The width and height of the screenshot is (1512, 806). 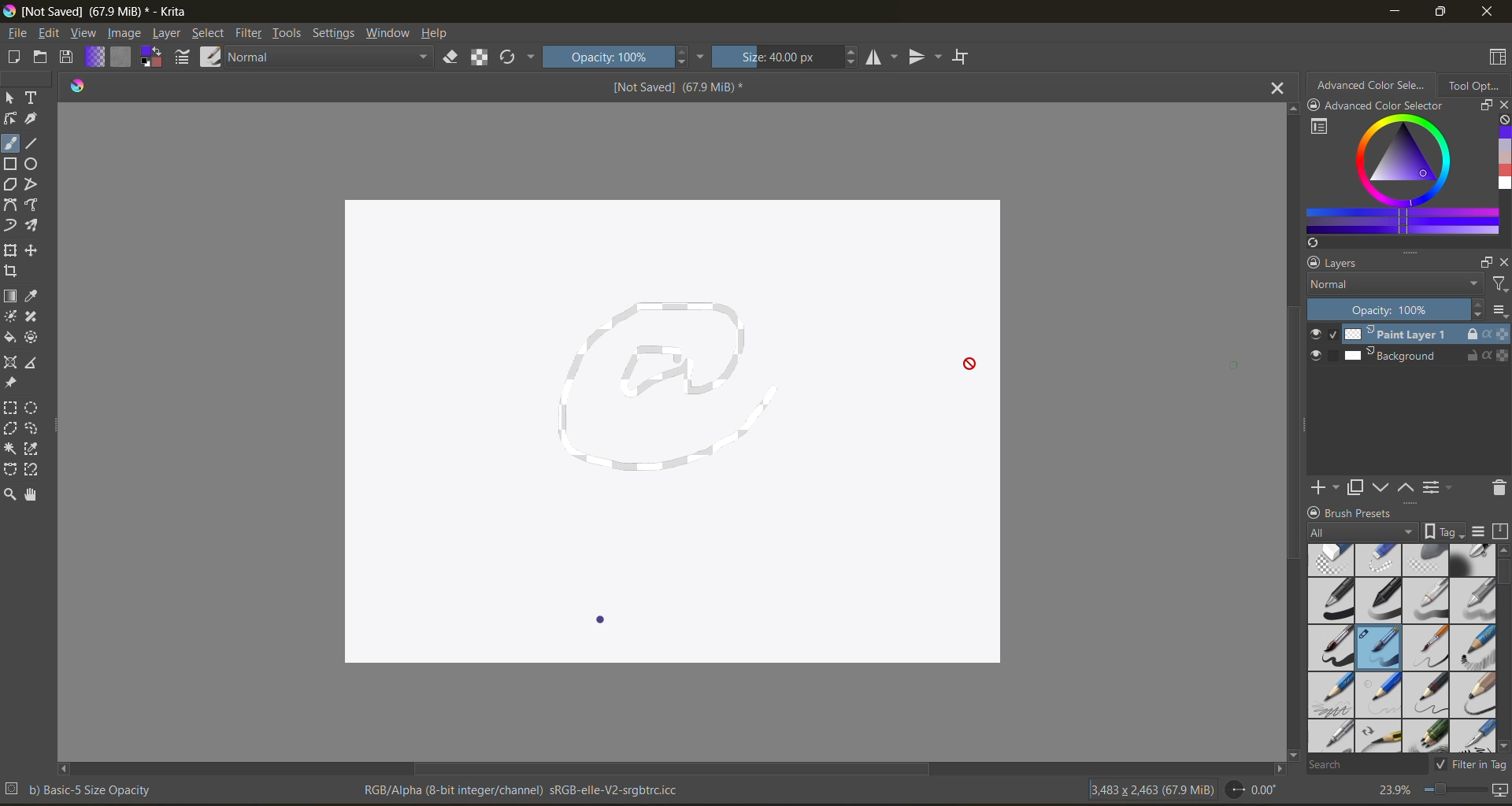 What do you see at coordinates (1254, 790) in the screenshot?
I see `rotate` at bounding box center [1254, 790].